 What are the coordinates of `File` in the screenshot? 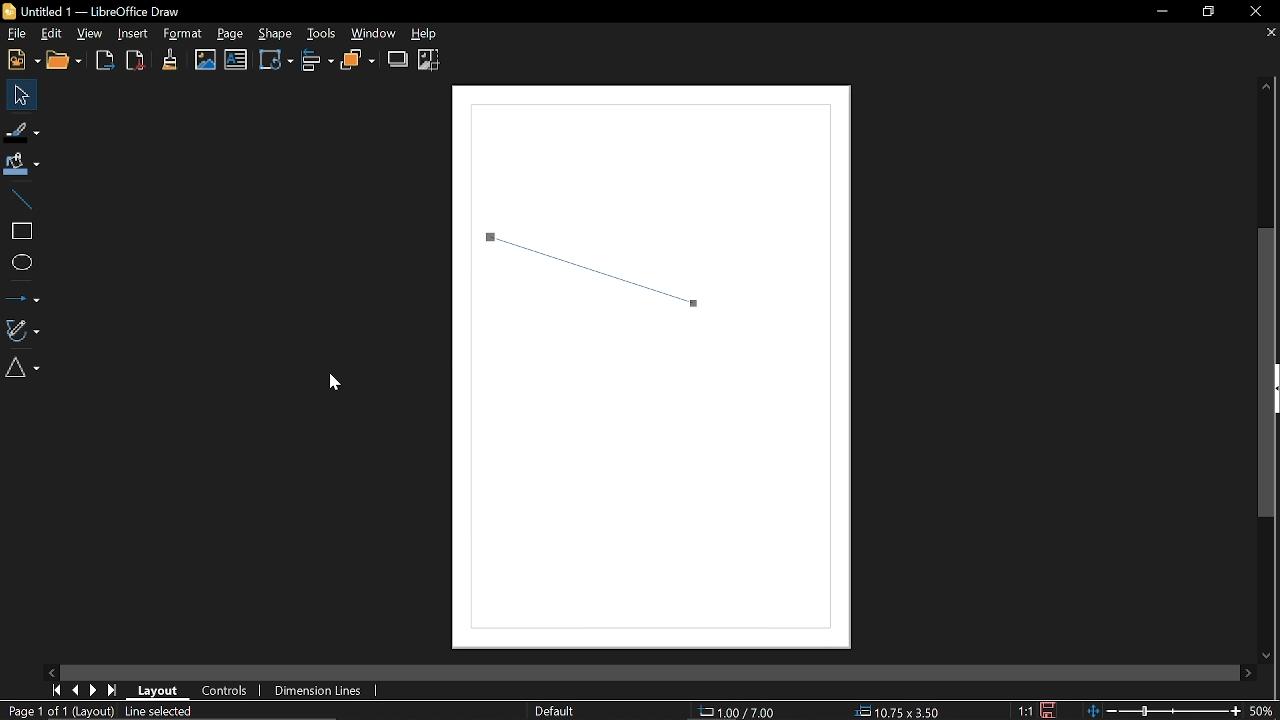 It's located at (16, 33).